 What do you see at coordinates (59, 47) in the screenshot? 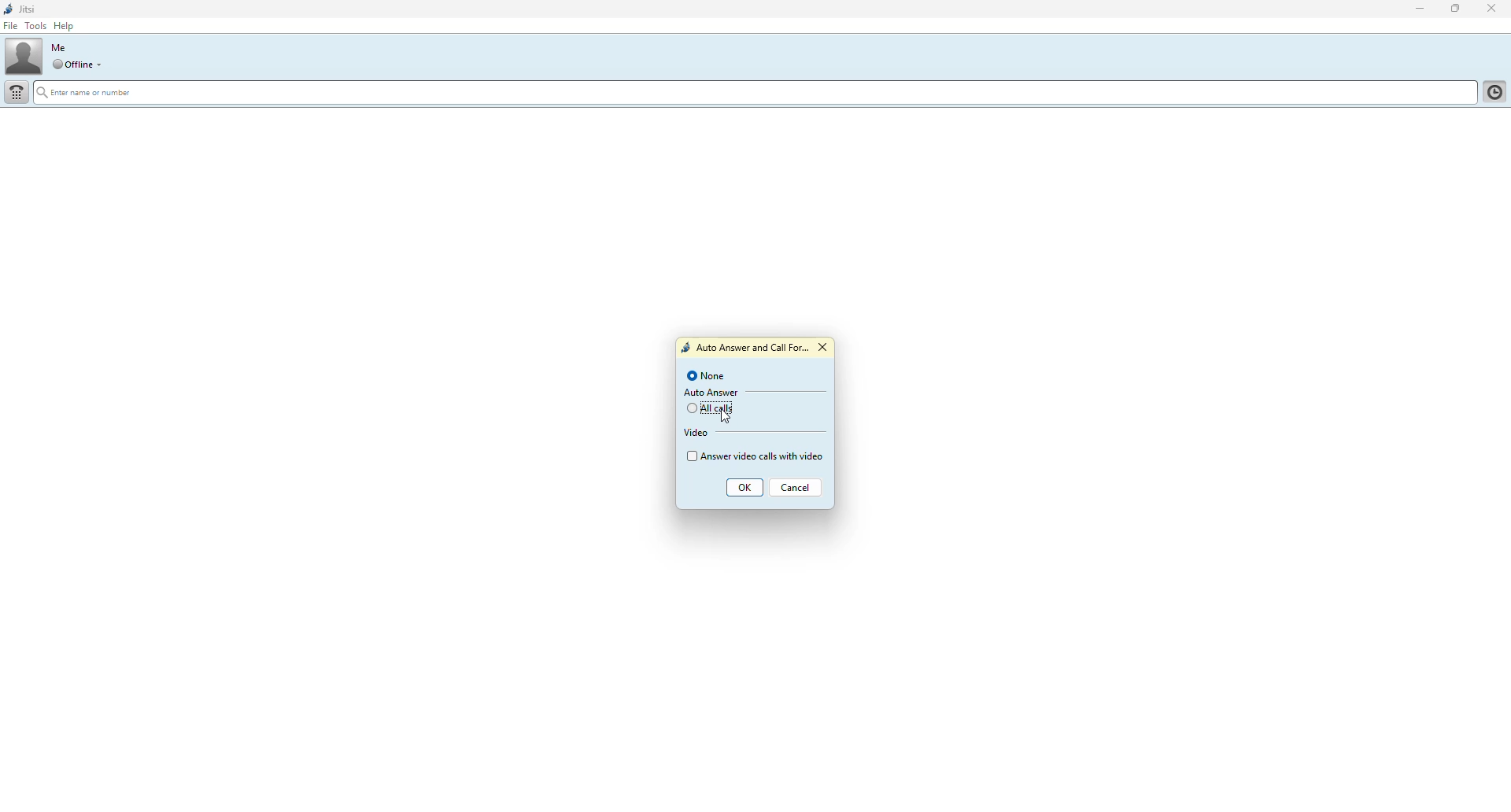
I see `me` at bounding box center [59, 47].